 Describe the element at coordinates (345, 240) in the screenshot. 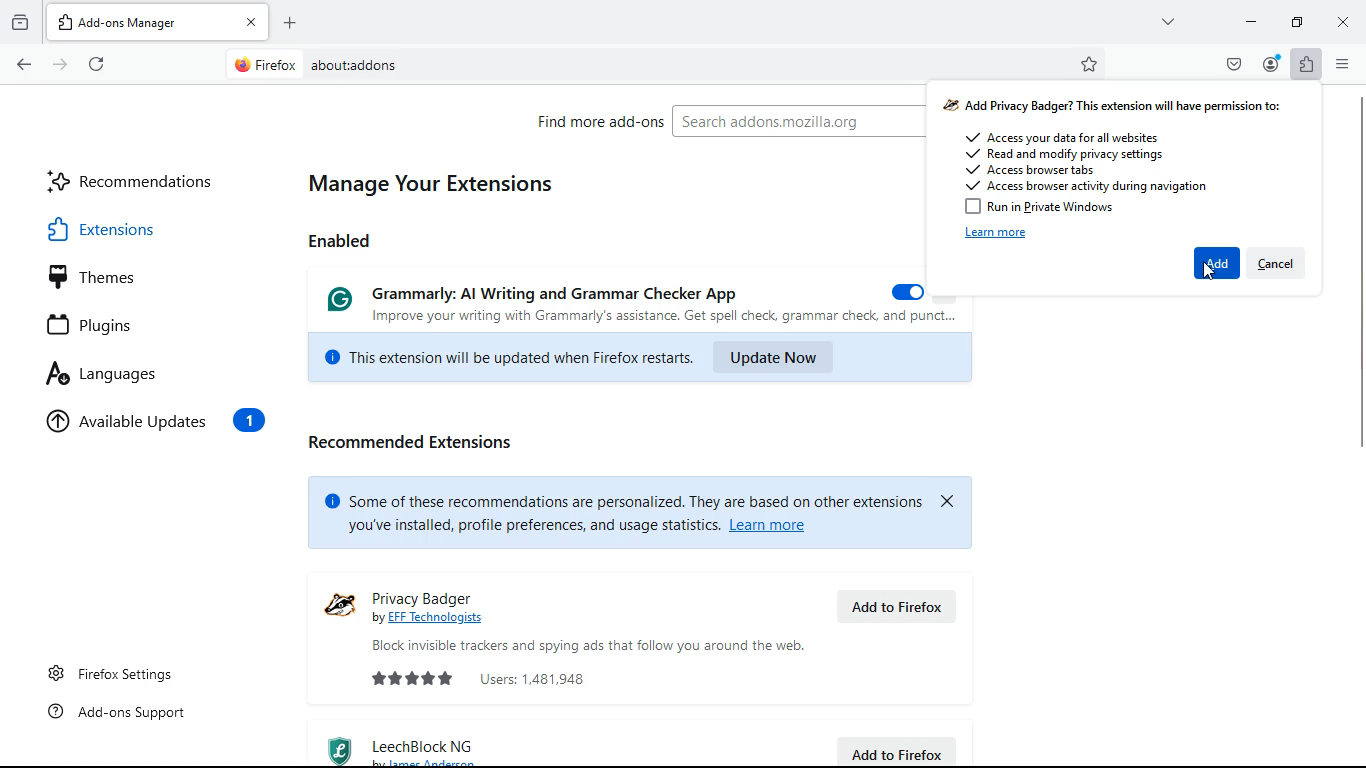

I see `enabled` at that location.